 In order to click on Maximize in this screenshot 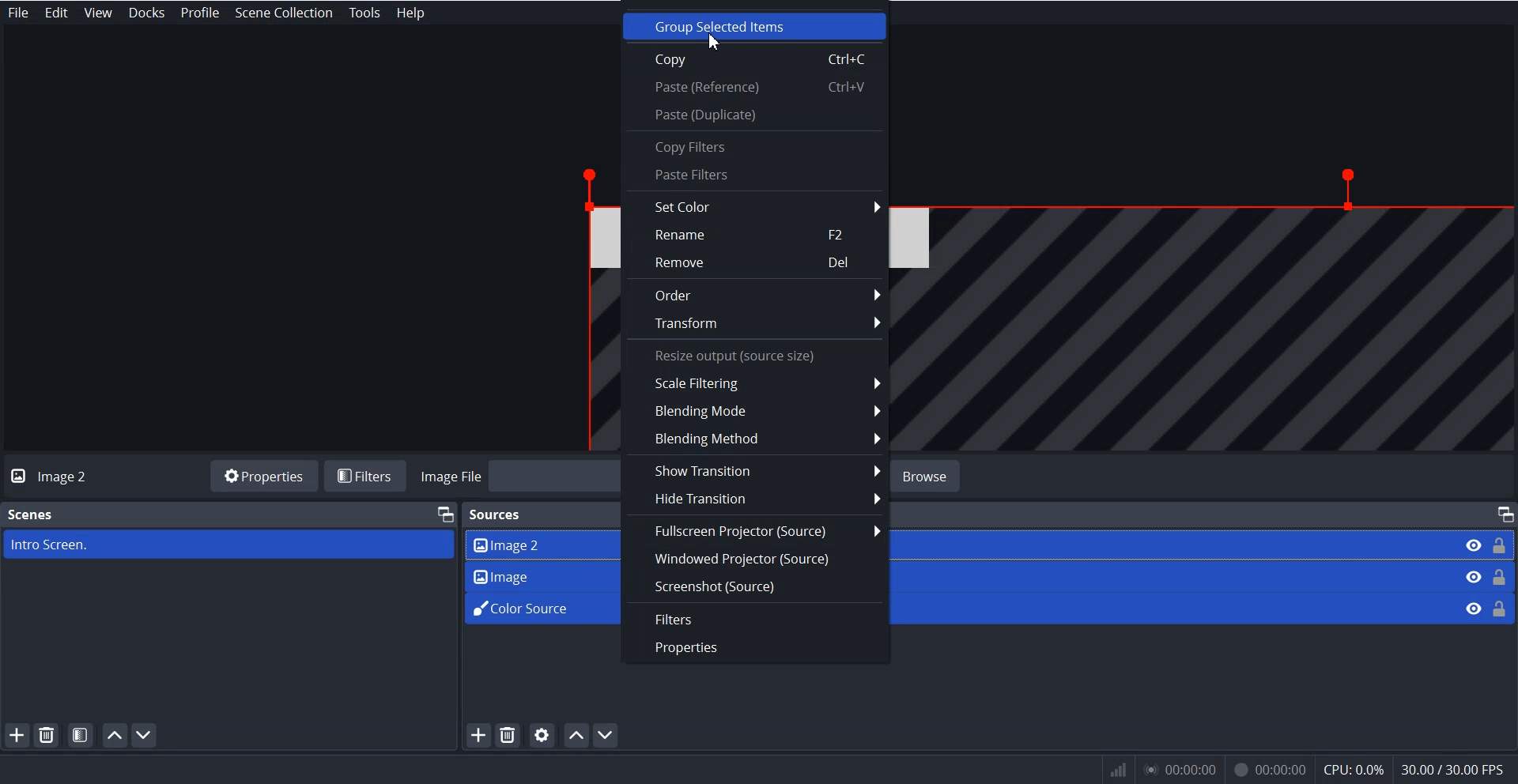, I will do `click(444, 513)`.